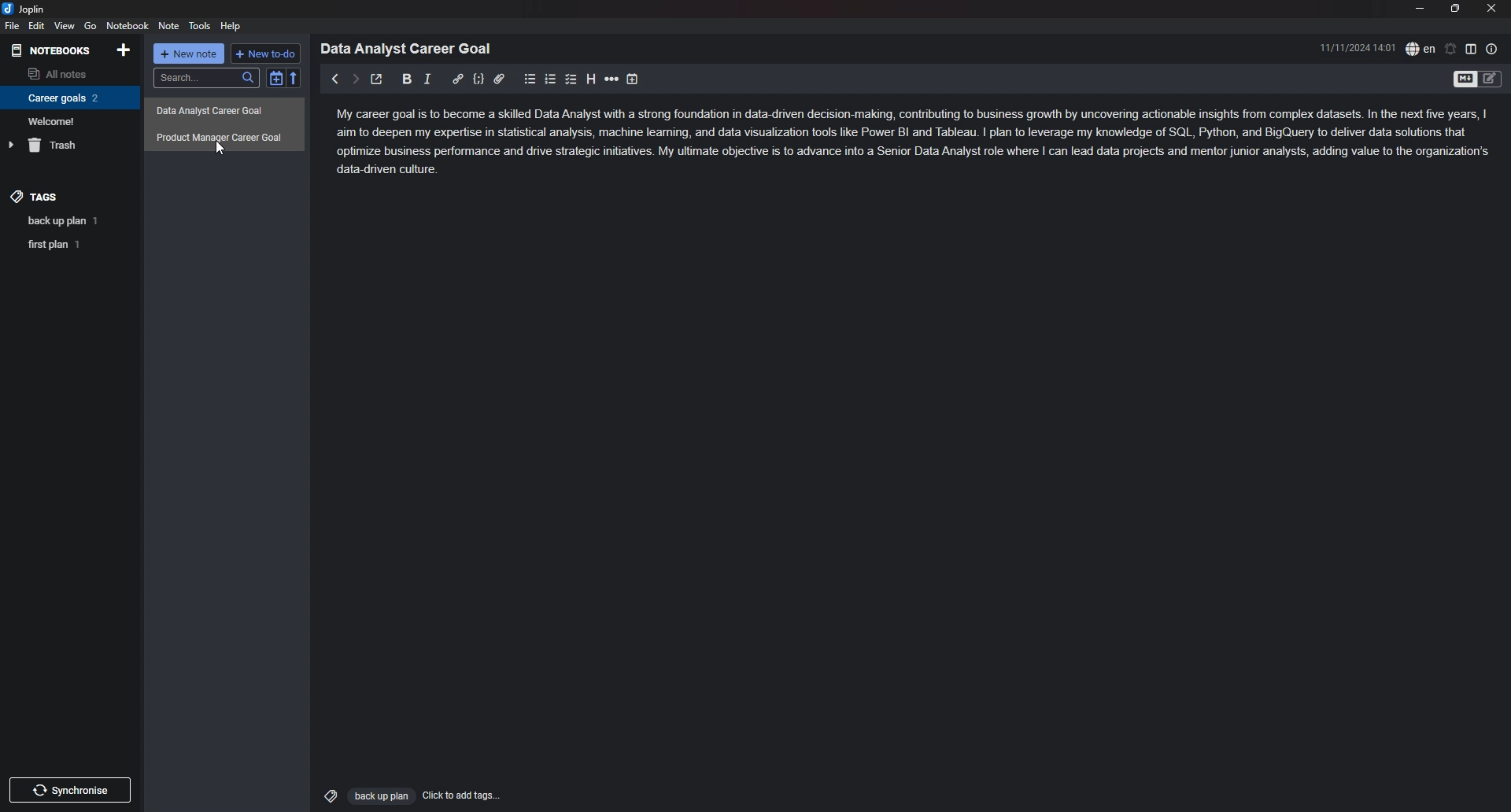  What do you see at coordinates (127, 25) in the screenshot?
I see `notebook` at bounding box center [127, 25].